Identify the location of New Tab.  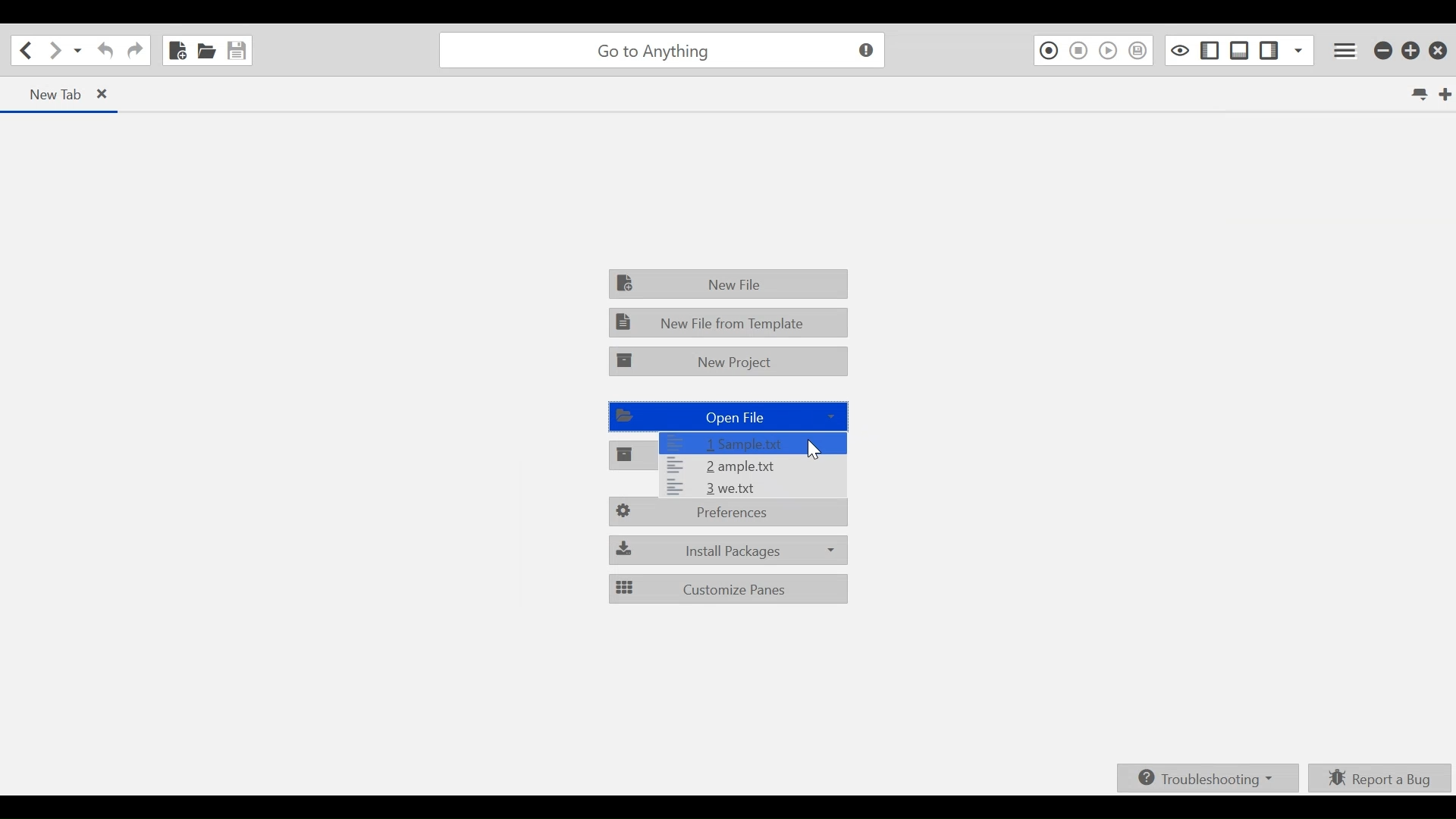
(1445, 96).